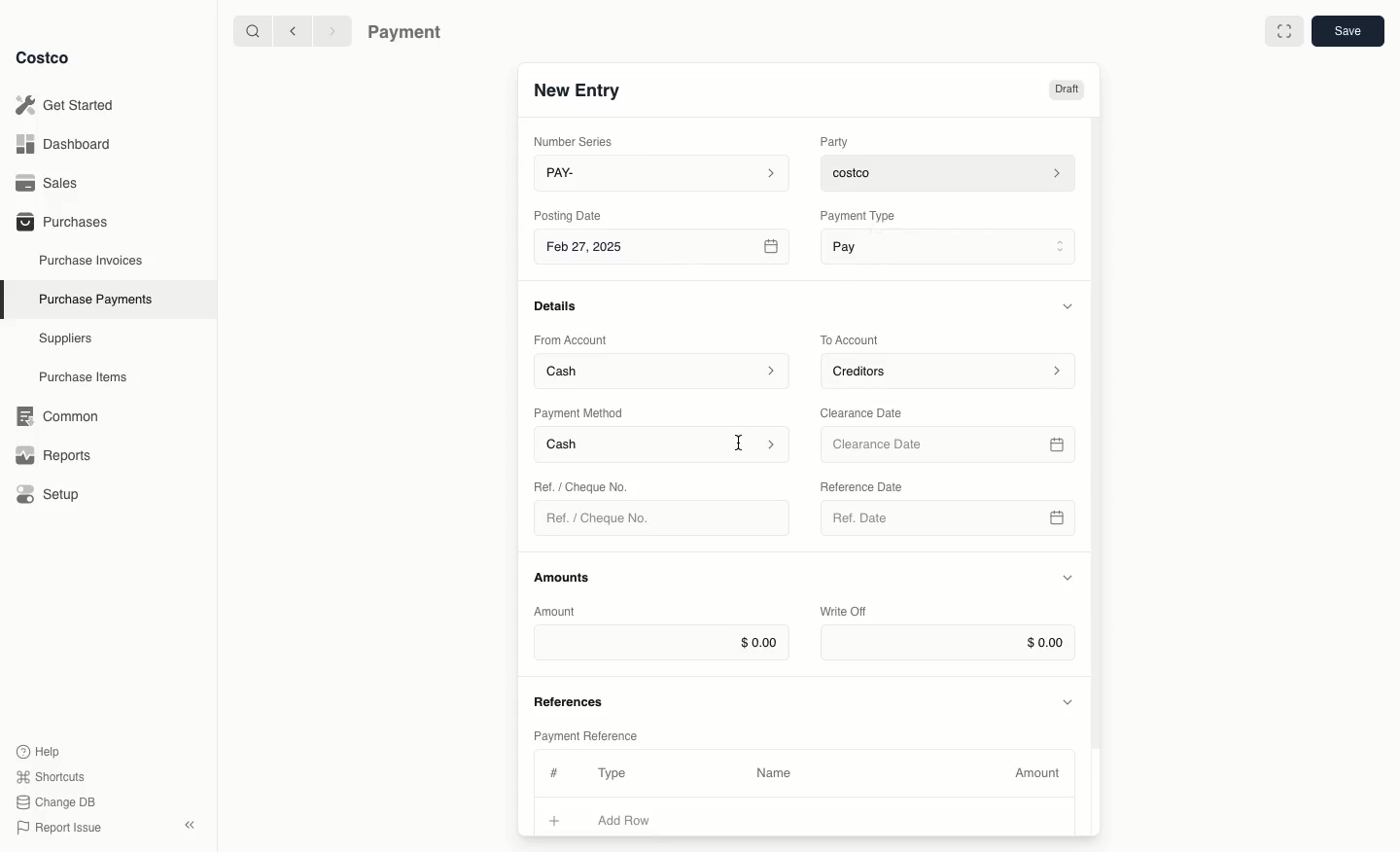 The height and width of the screenshot is (852, 1400). Describe the element at coordinates (66, 337) in the screenshot. I see `Suppliers` at that location.